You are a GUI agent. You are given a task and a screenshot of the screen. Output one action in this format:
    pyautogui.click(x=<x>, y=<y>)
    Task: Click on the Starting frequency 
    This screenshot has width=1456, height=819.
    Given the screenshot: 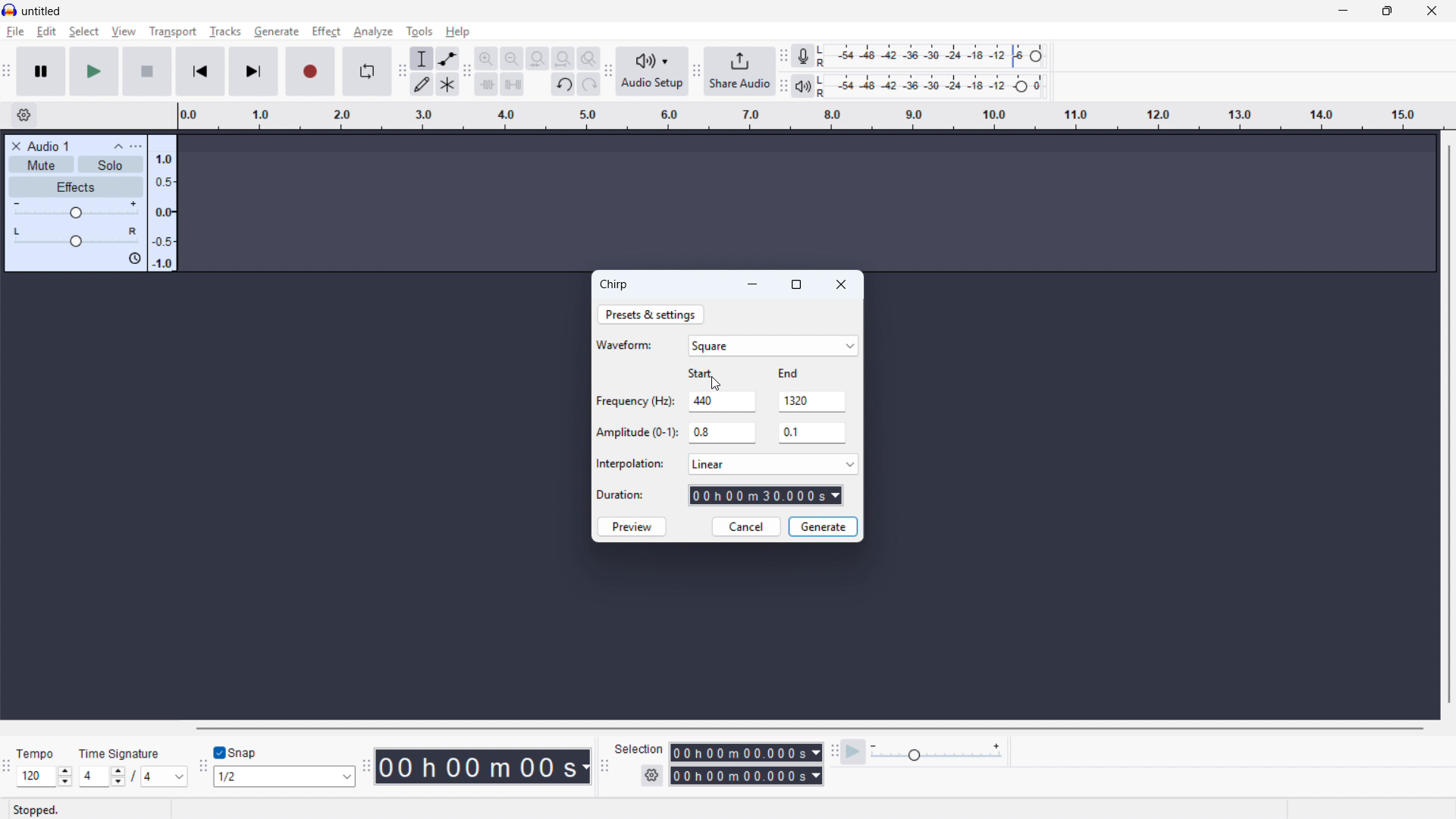 What is the action you would take?
    pyautogui.click(x=723, y=401)
    